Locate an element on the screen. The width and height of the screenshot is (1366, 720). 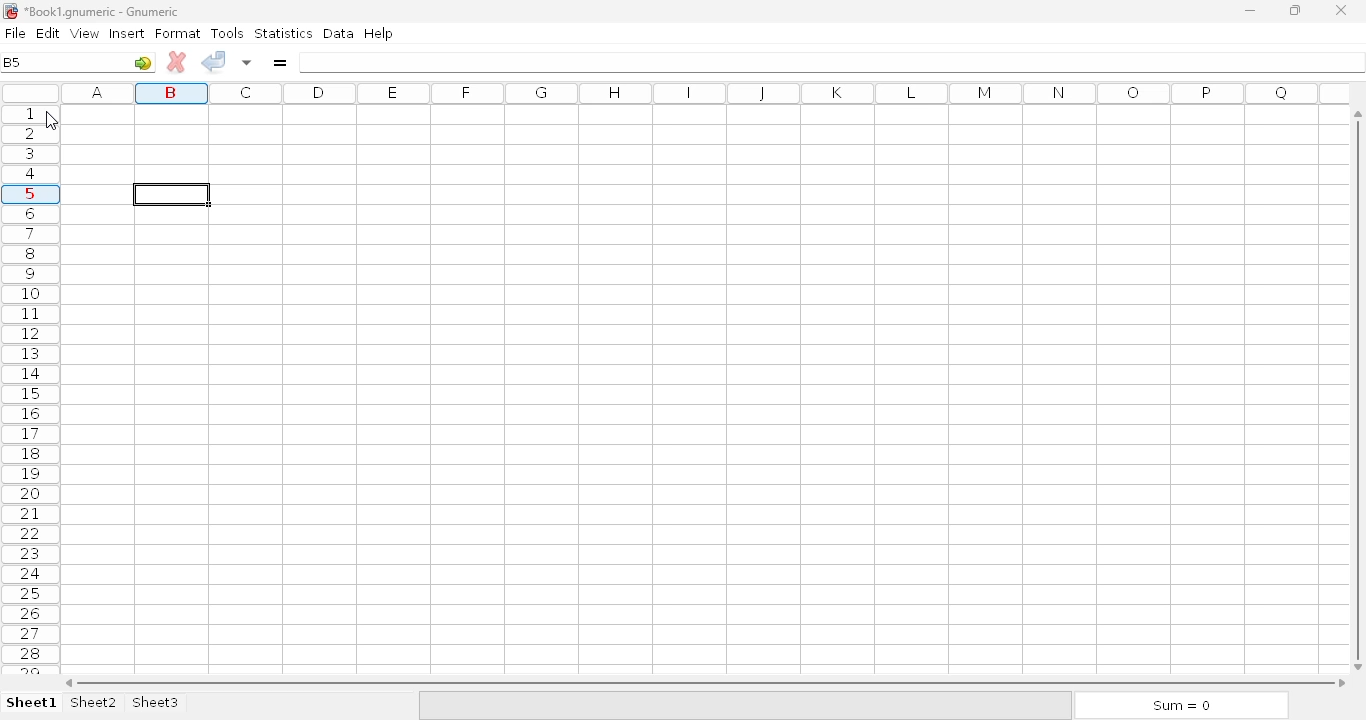
data is located at coordinates (339, 33).